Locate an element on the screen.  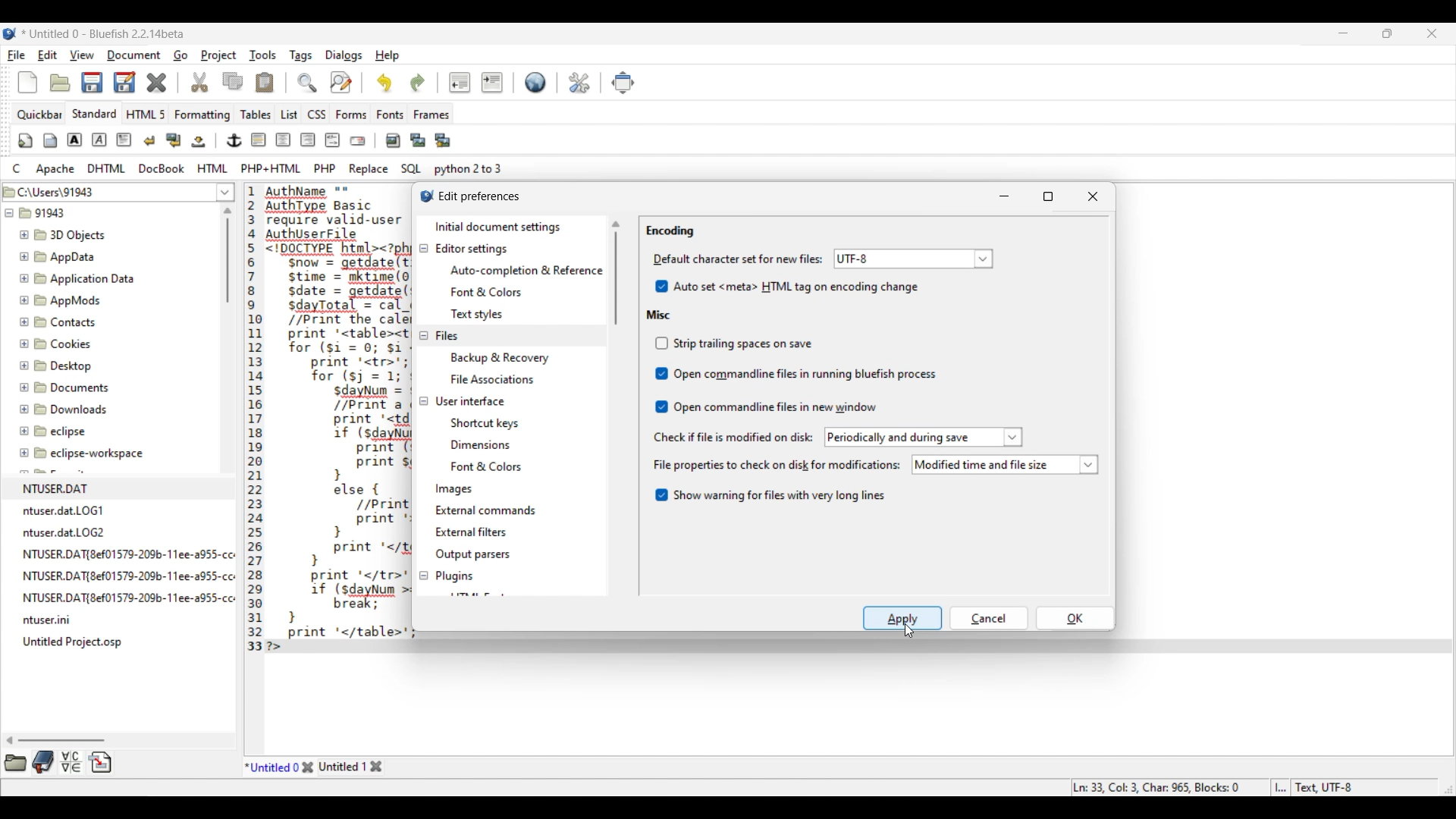
Search and replace is located at coordinates (325, 82).